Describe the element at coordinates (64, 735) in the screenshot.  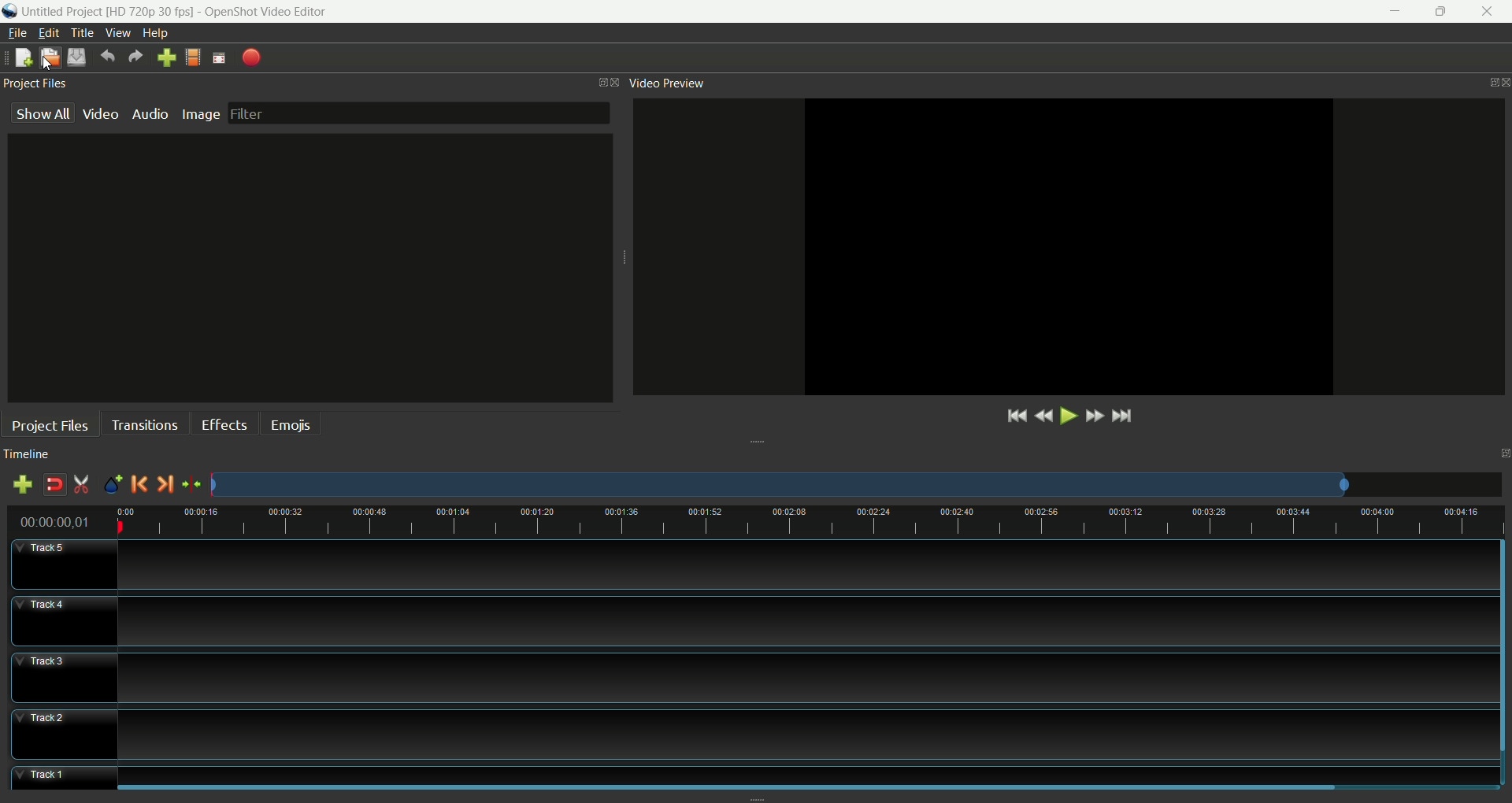
I see `track2` at that location.